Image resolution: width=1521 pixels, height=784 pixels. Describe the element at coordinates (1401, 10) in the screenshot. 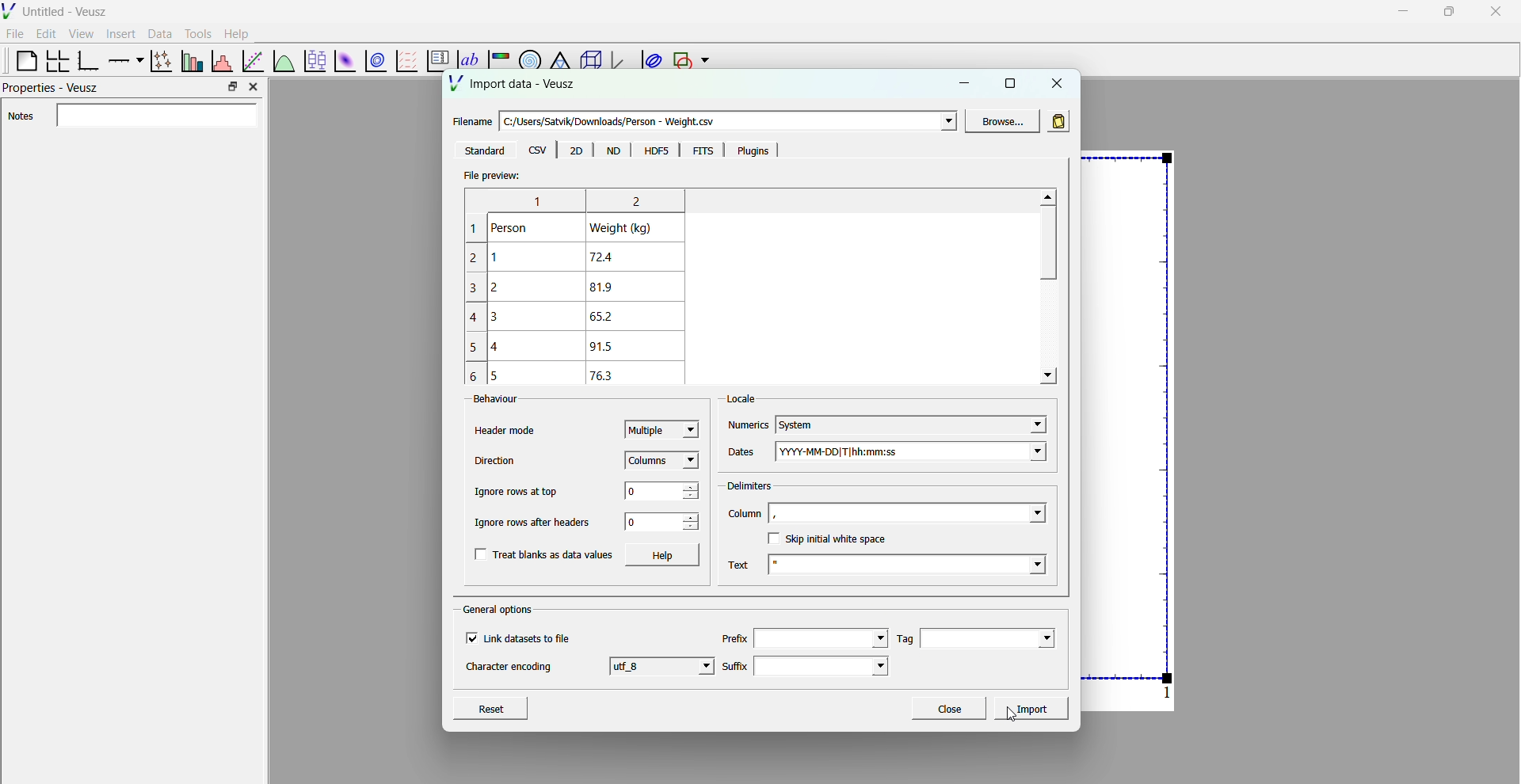

I see `minimize` at that location.